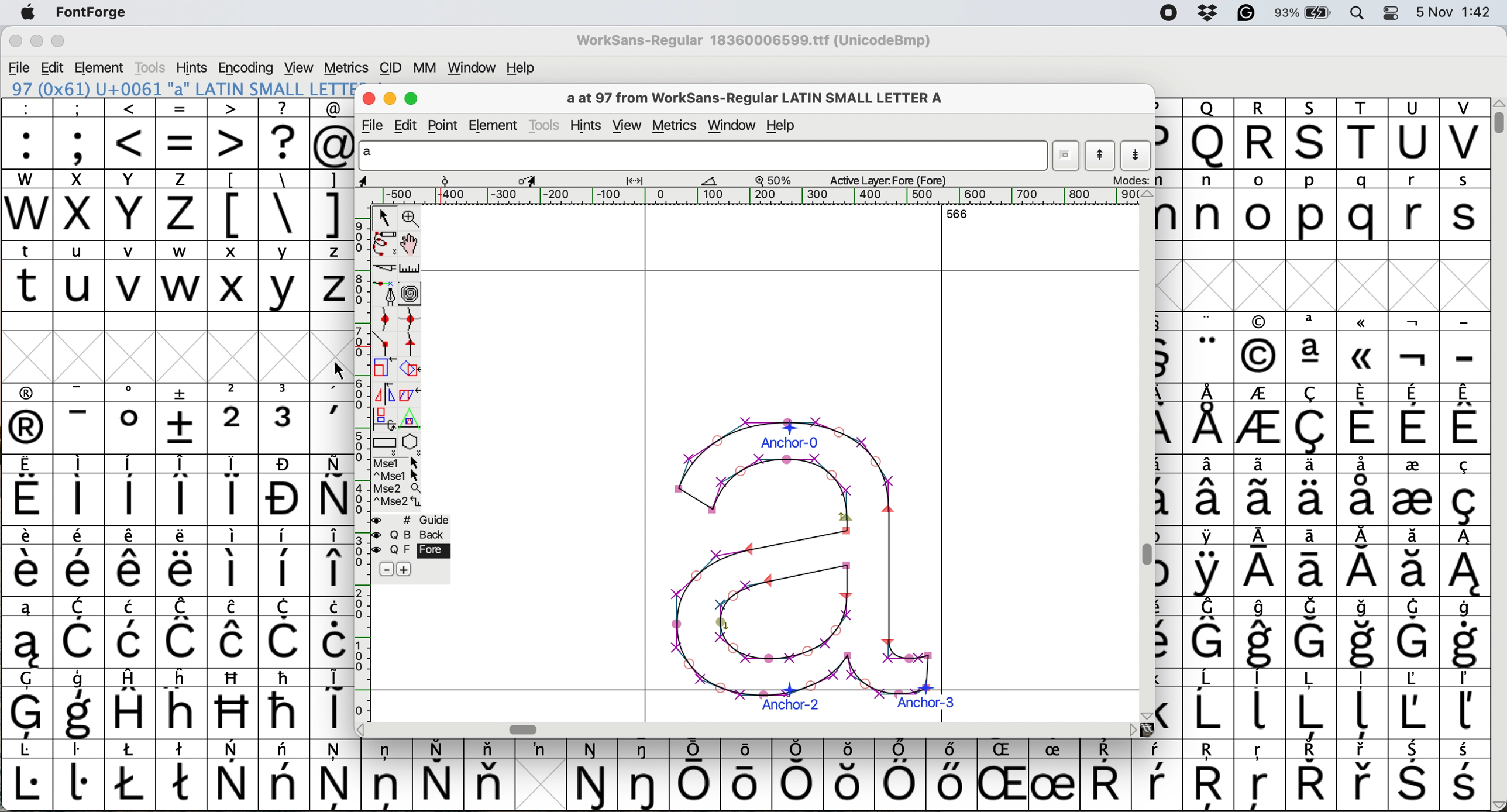  I want to click on symbol, so click(1412, 703).